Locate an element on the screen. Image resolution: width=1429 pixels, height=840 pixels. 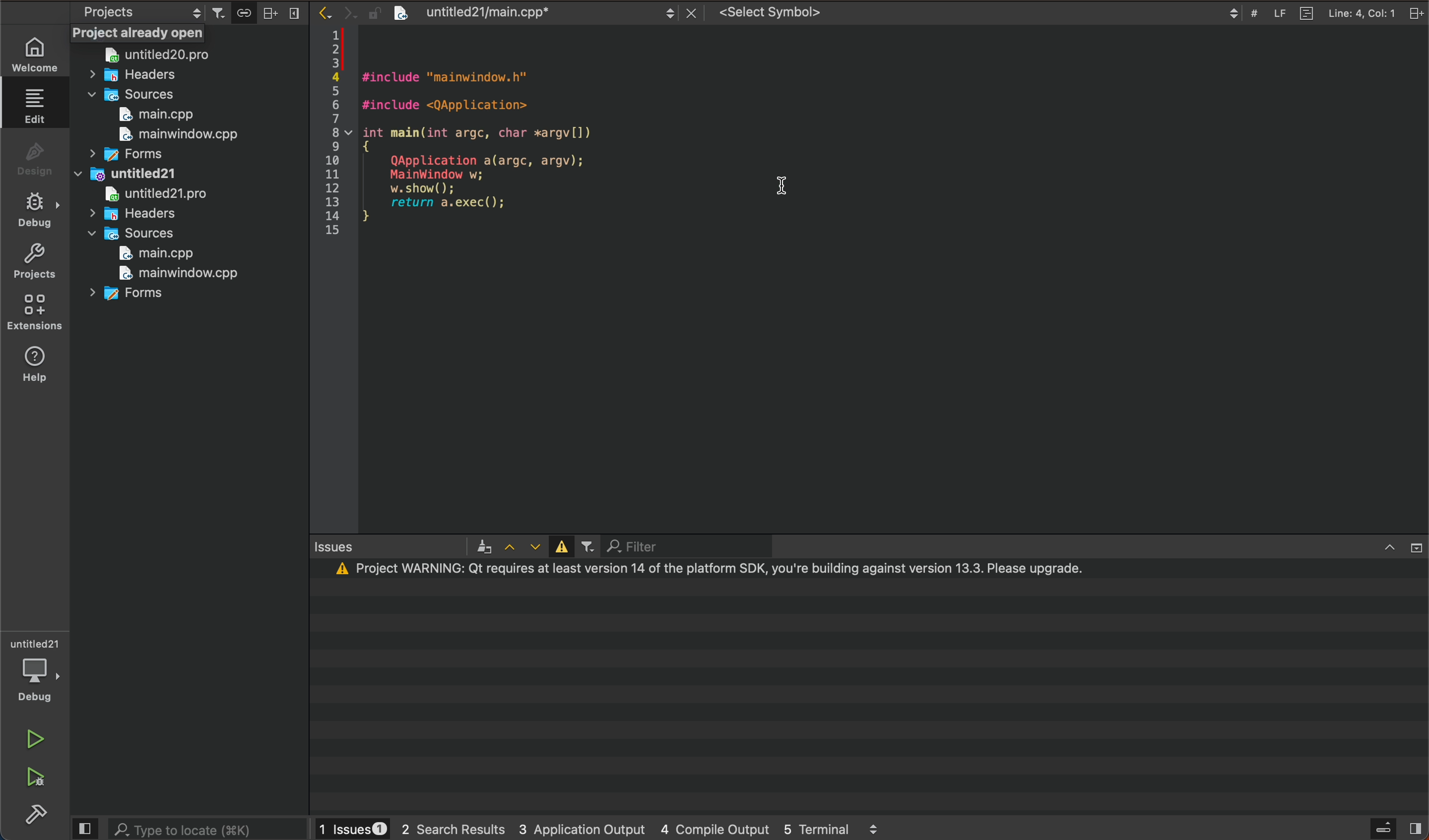
expand is located at coordinates (1418, 546).